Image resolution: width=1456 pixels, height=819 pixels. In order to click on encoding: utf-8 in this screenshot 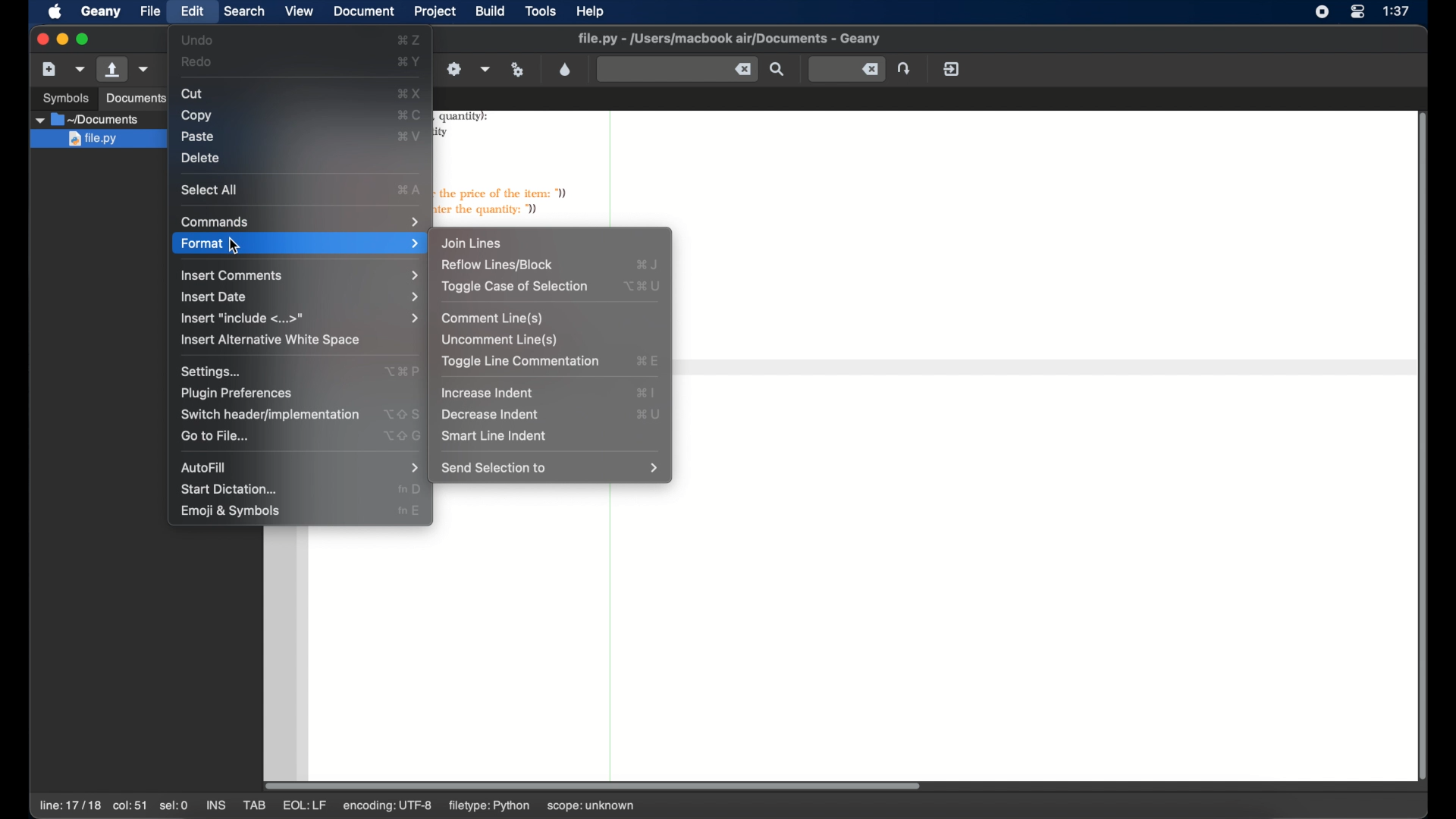, I will do `click(393, 807)`.